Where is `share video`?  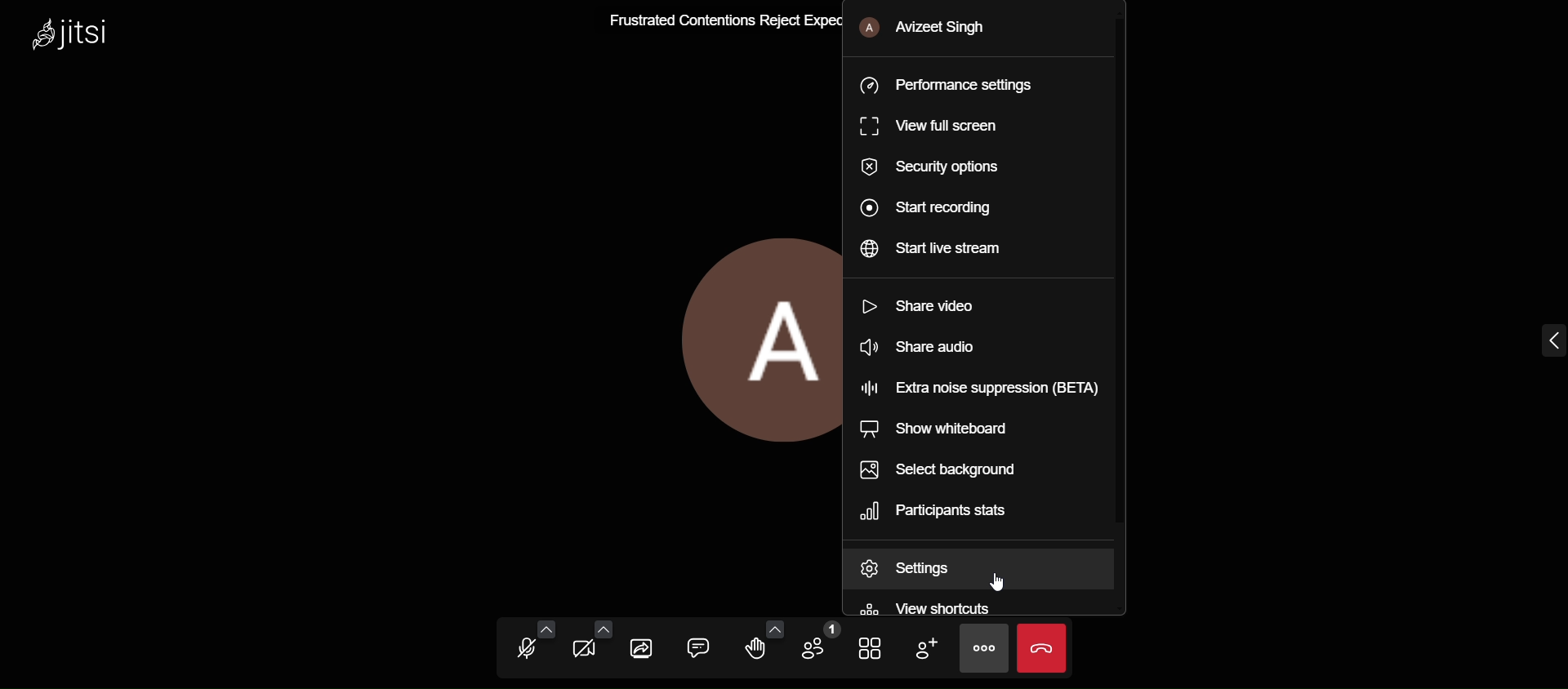
share video is located at coordinates (954, 309).